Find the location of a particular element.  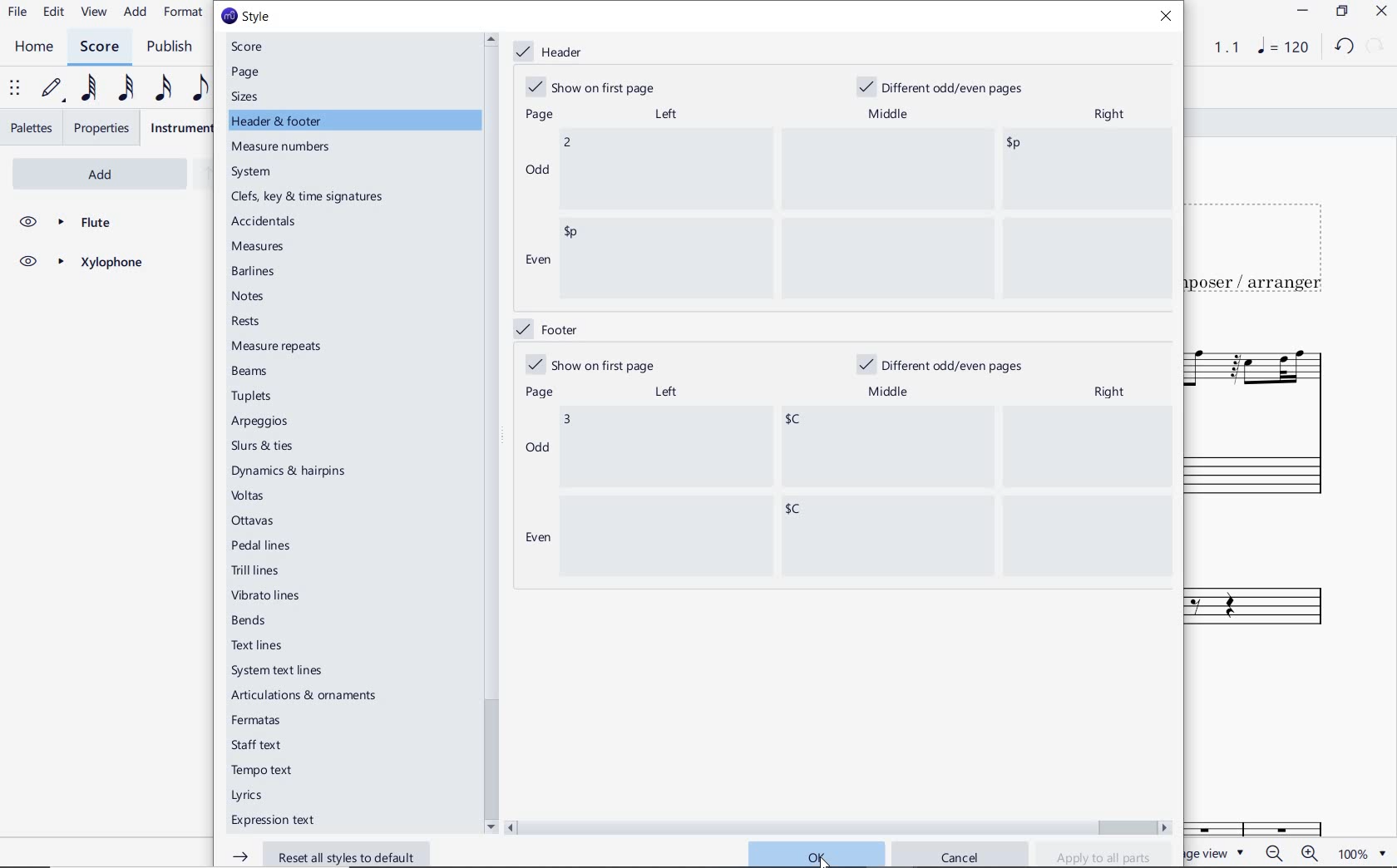

notes is located at coordinates (249, 296).